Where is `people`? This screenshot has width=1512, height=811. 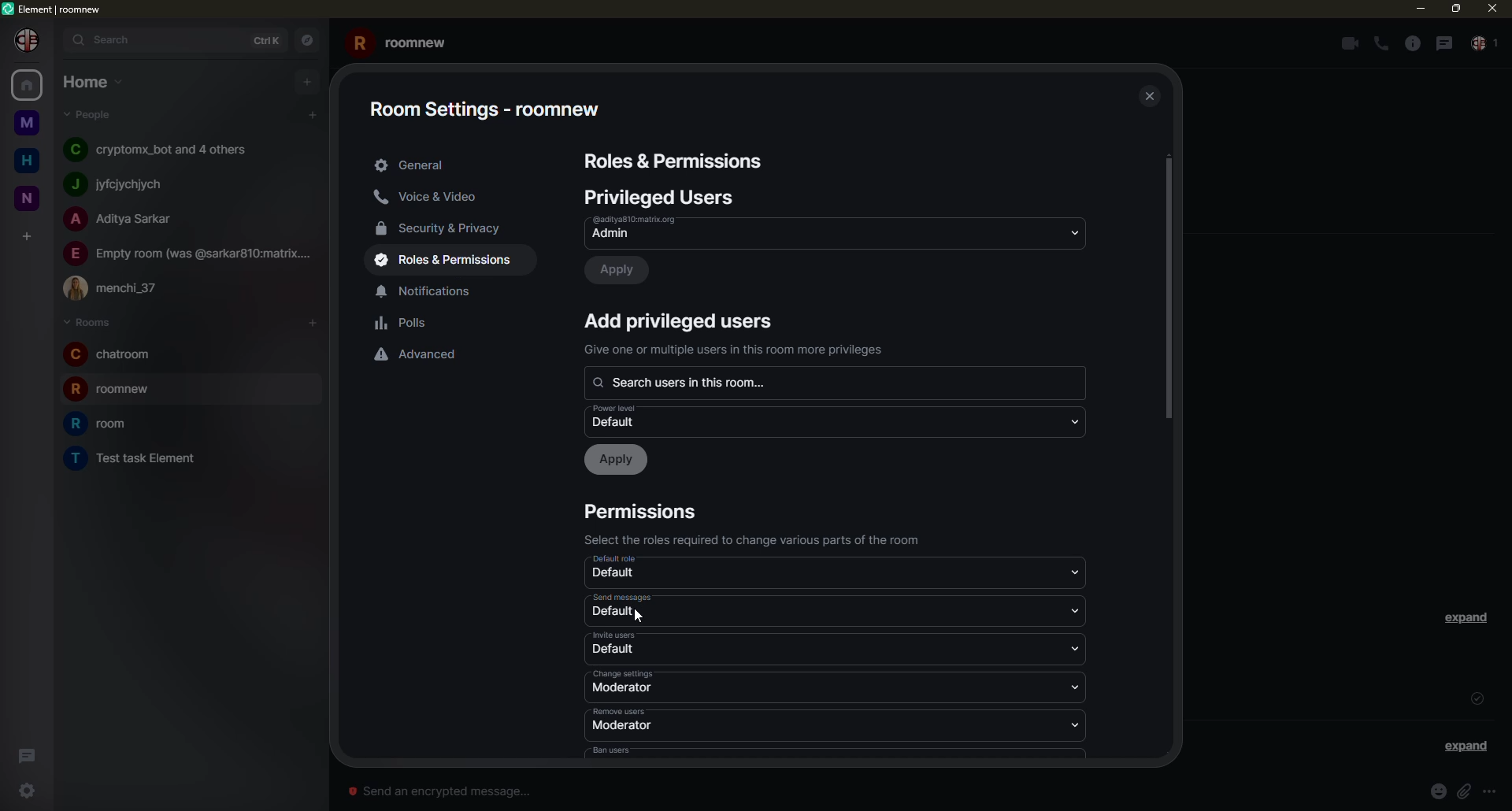
people is located at coordinates (163, 150).